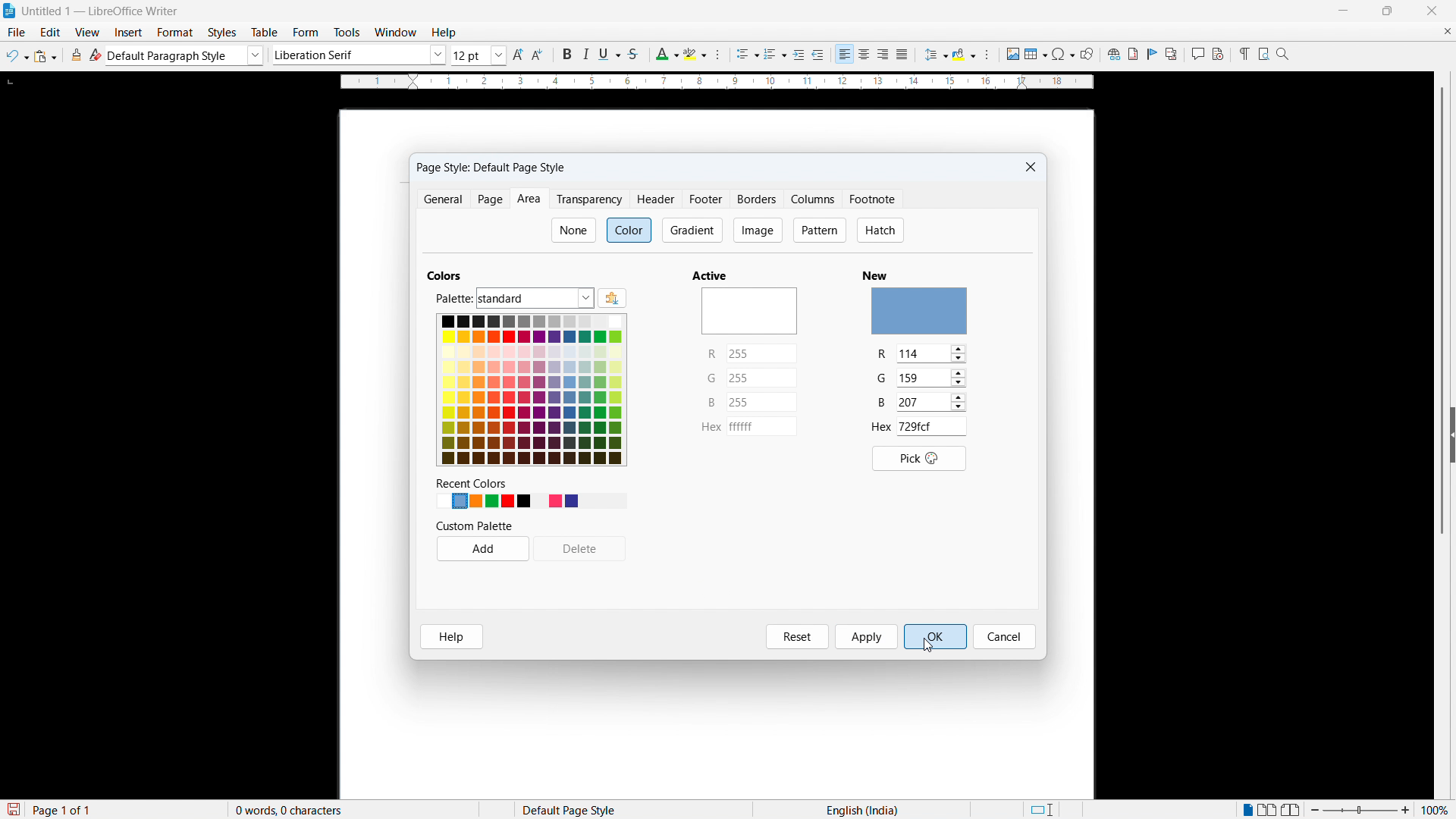  I want to click on Insert footnote , so click(1132, 54).